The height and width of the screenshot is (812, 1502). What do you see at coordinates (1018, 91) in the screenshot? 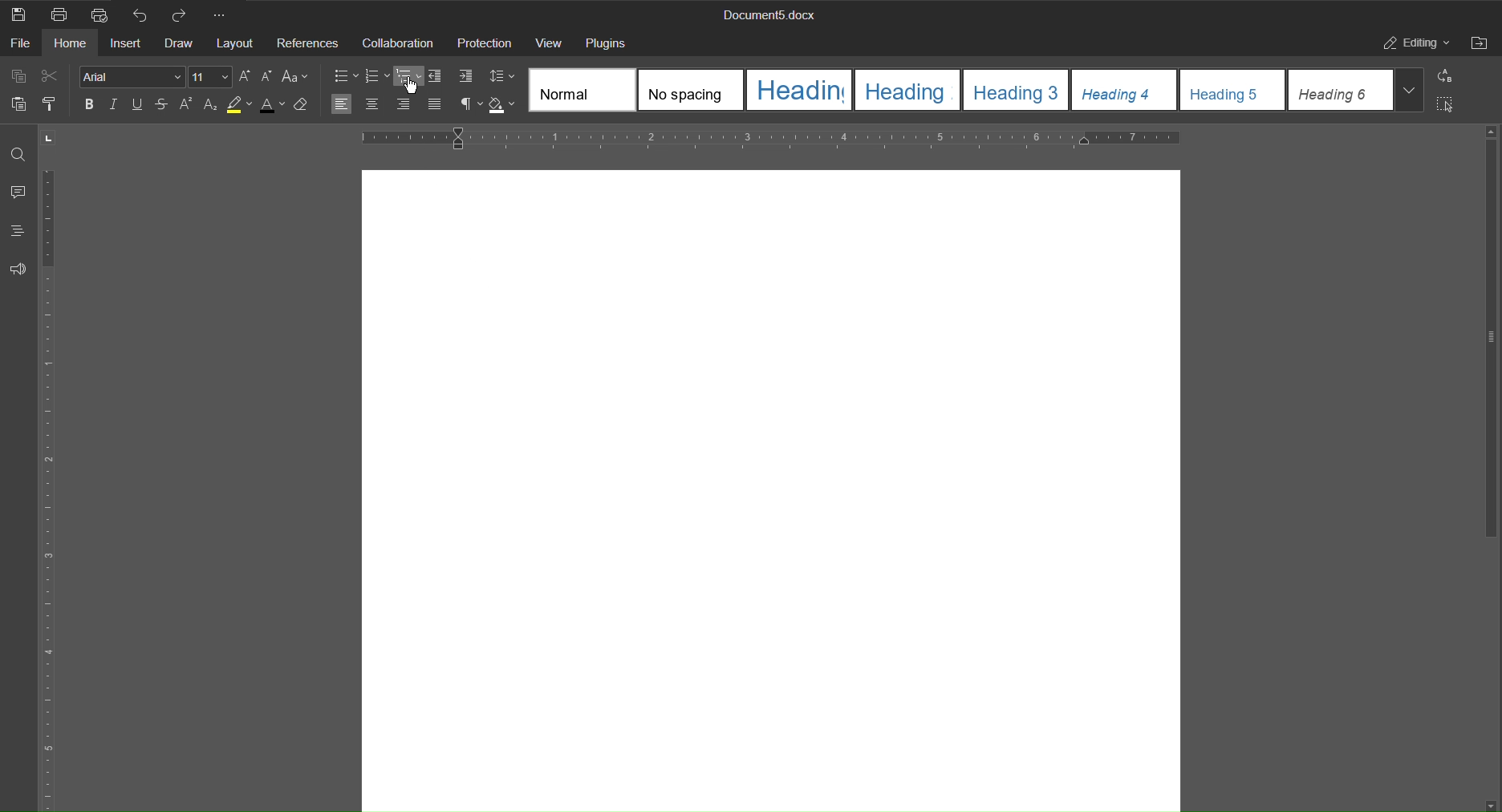
I see `Heading 3` at bounding box center [1018, 91].